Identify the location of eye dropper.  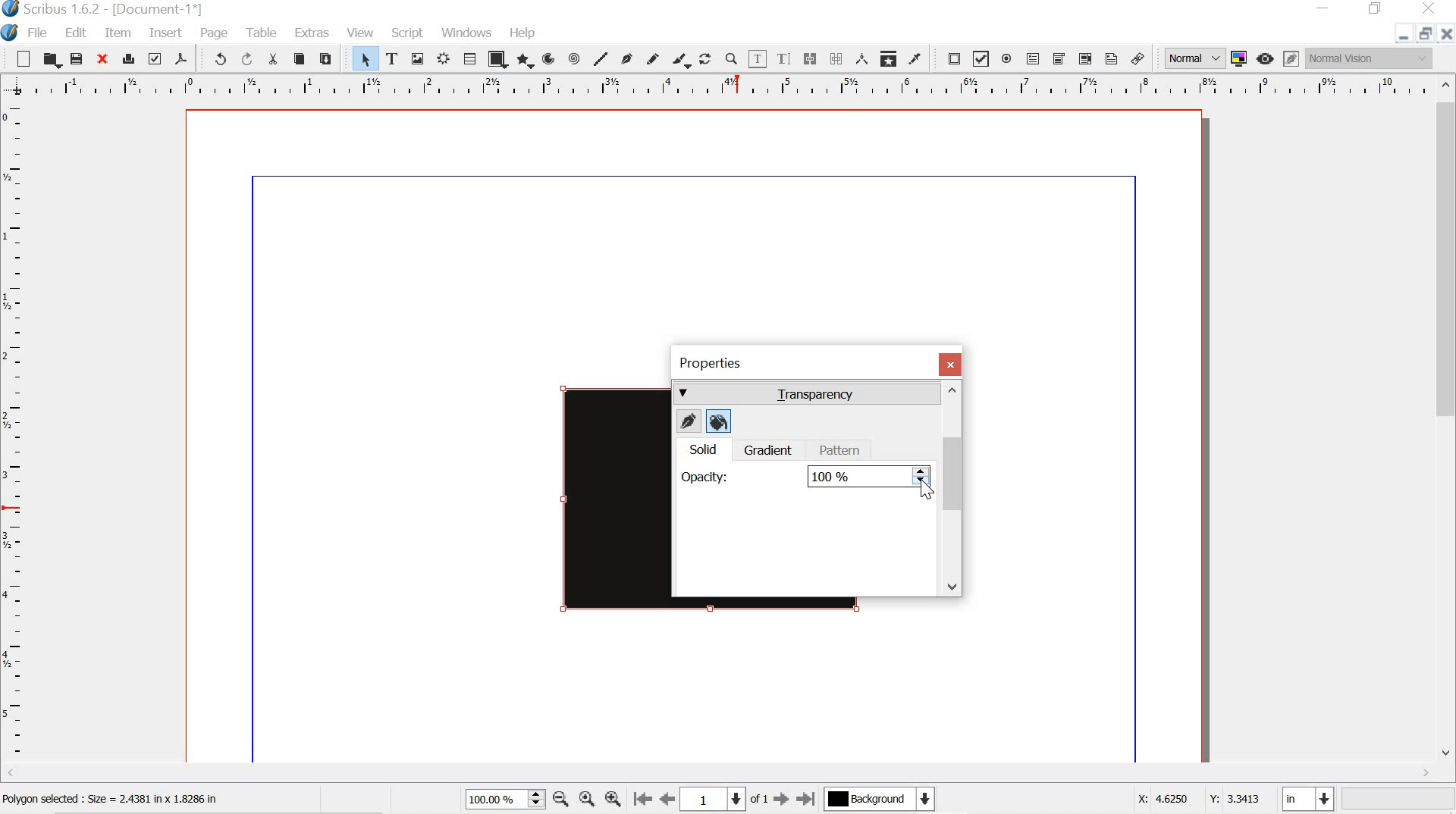
(915, 58).